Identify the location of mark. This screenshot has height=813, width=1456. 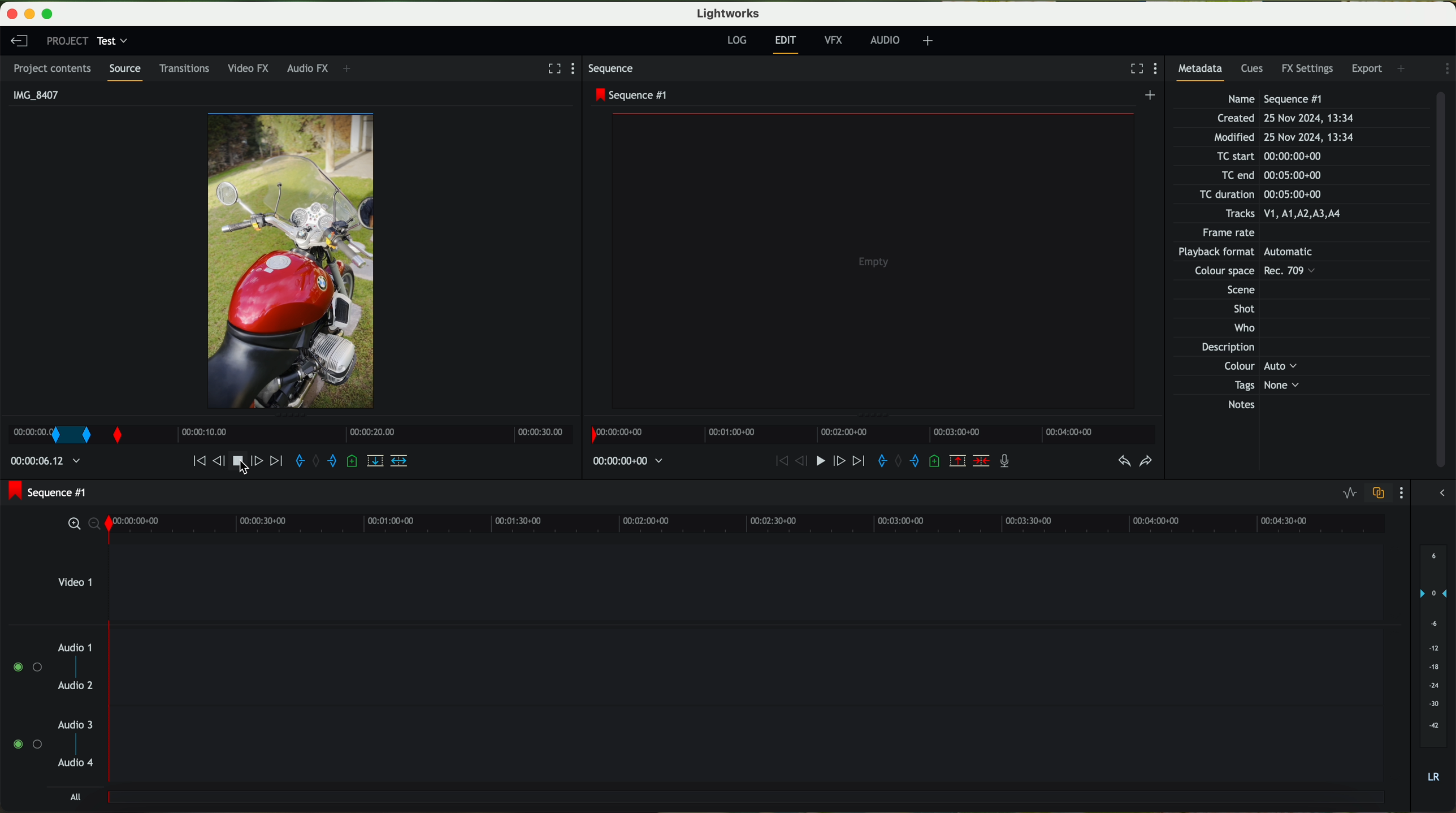
(30, 435).